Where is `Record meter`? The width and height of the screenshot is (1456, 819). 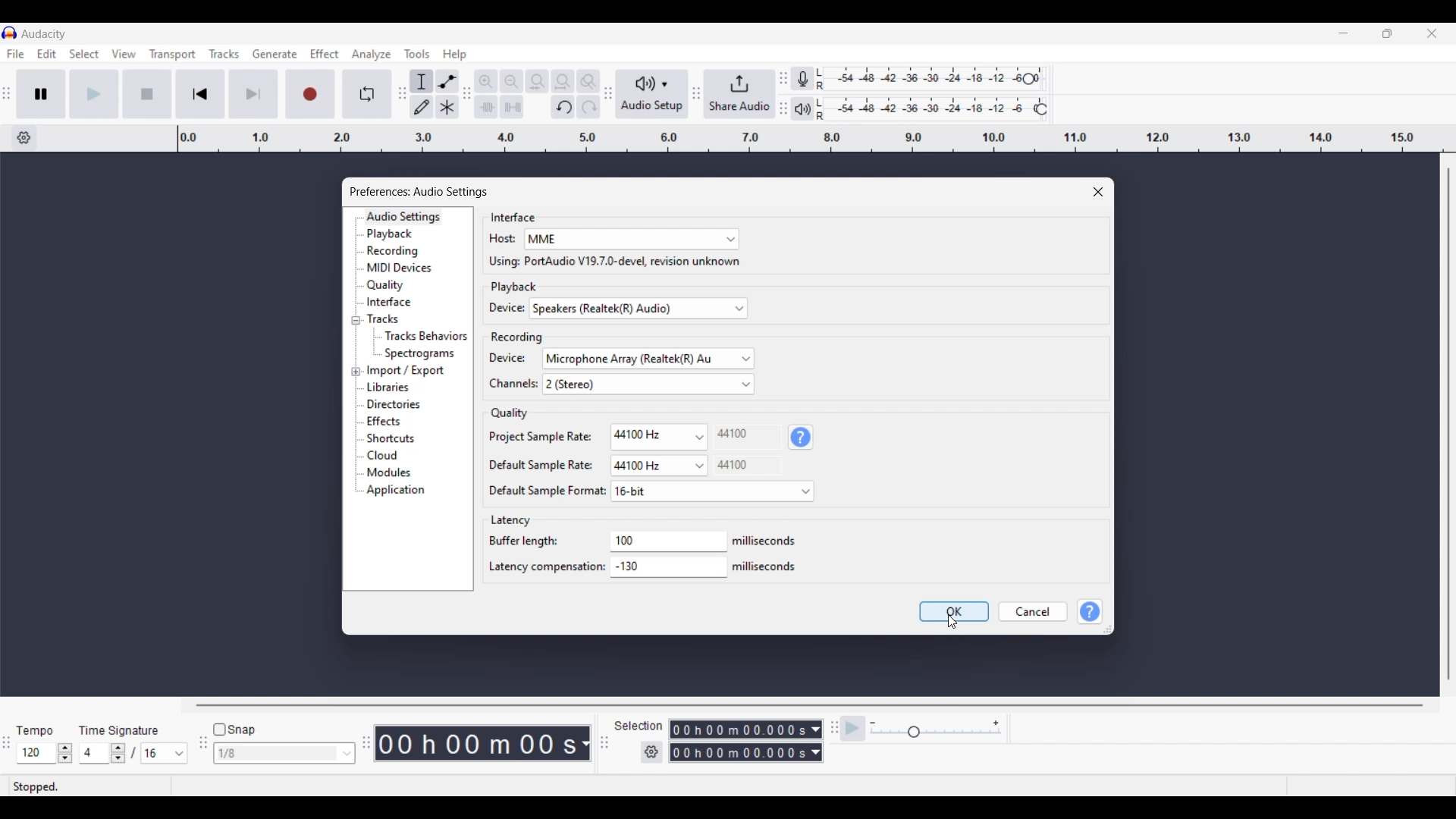
Record meter is located at coordinates (809, 79).